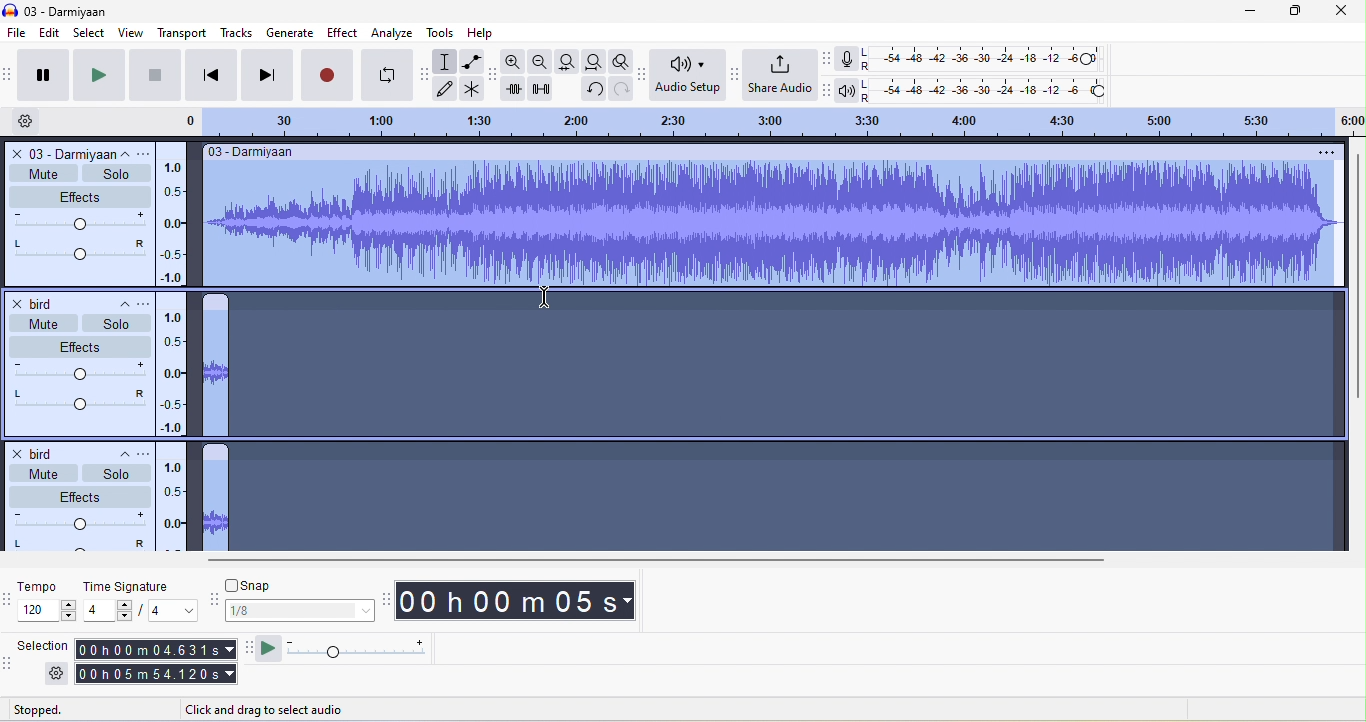 The image size is (1366, 722). Describe the element at coordinates (116, 472) in the screenshot. I see `solo` at that location.